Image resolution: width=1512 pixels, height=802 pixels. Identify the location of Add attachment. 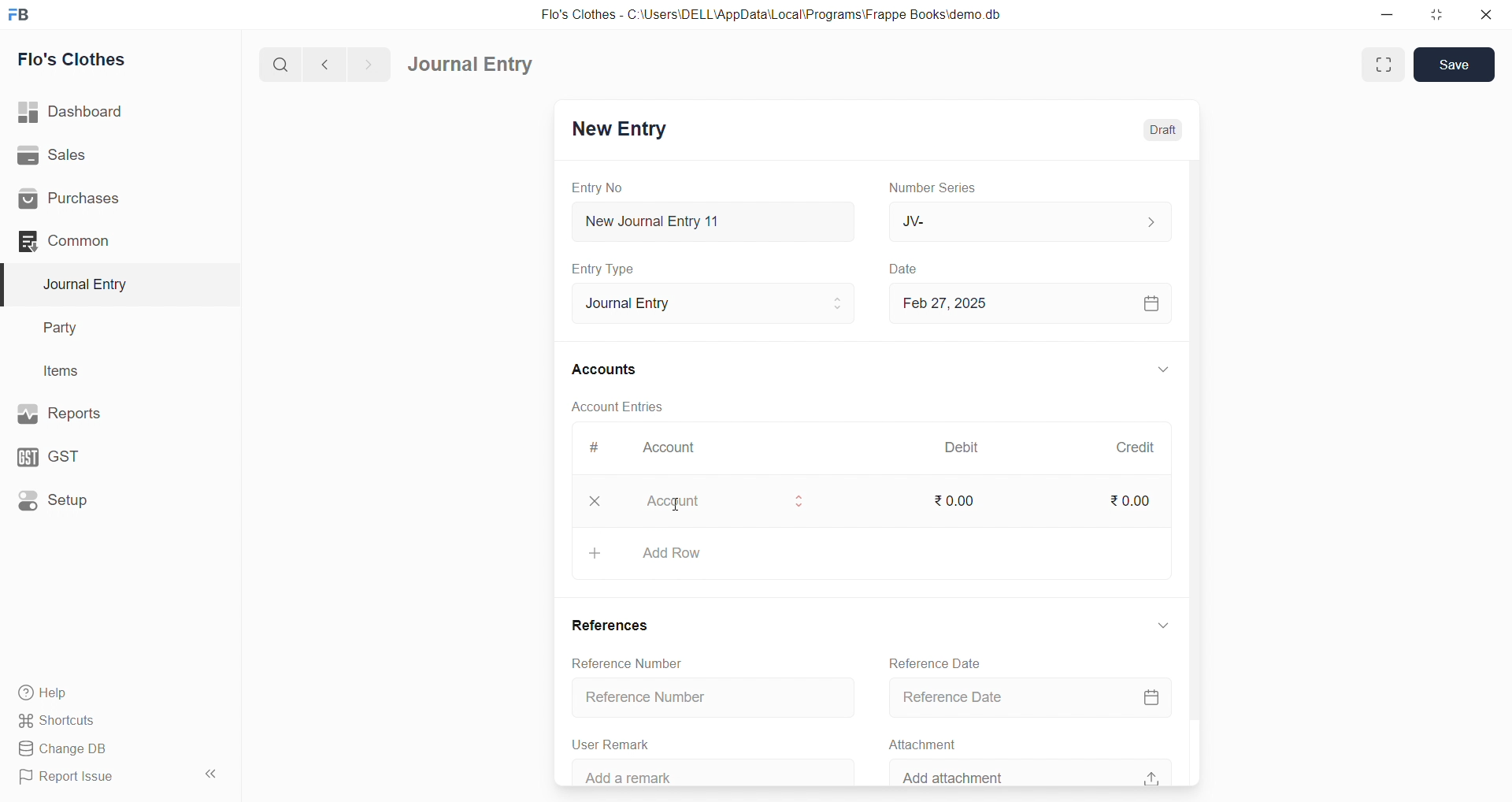
(1034, 771).